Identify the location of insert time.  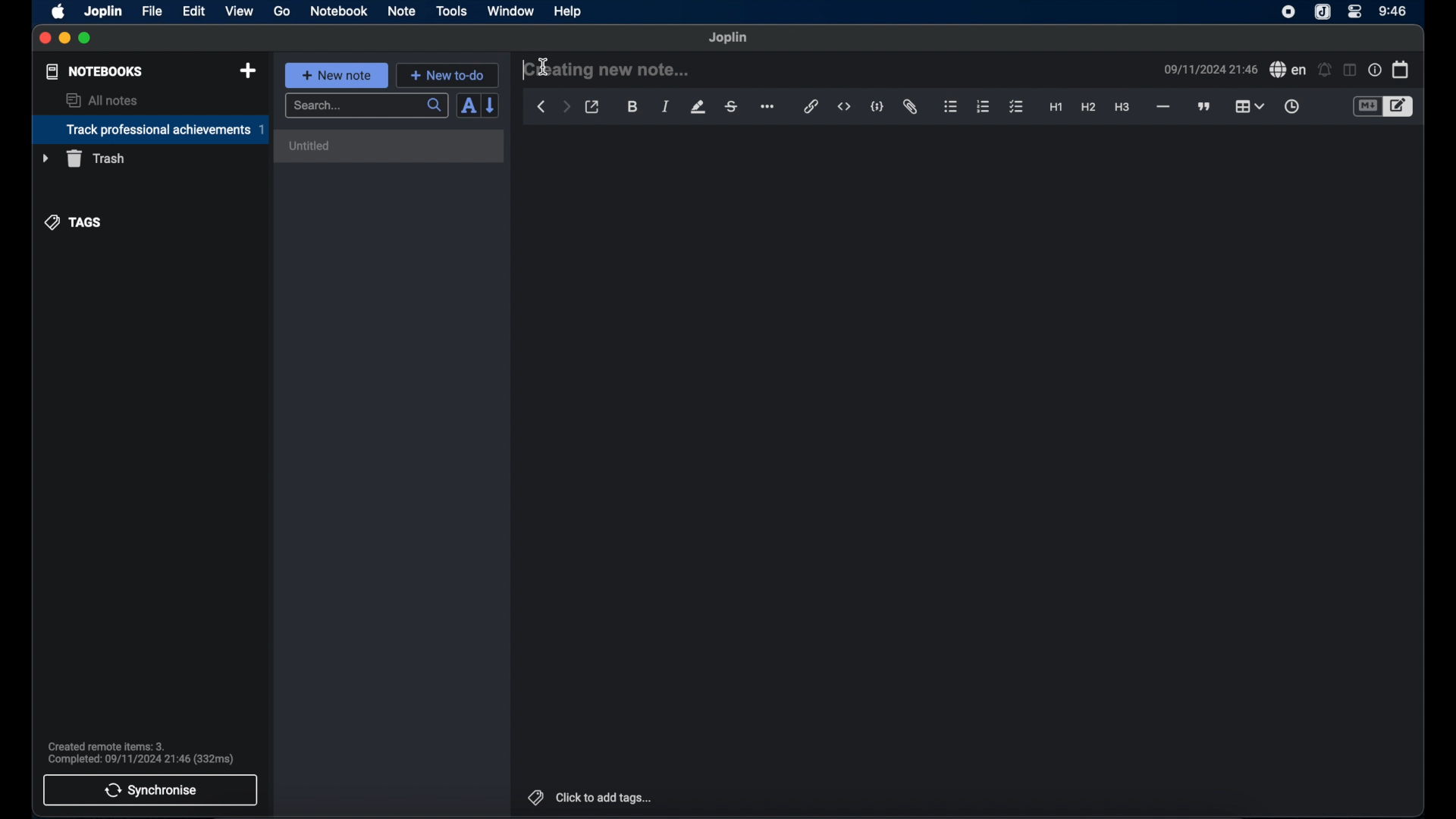
(1291, 106).